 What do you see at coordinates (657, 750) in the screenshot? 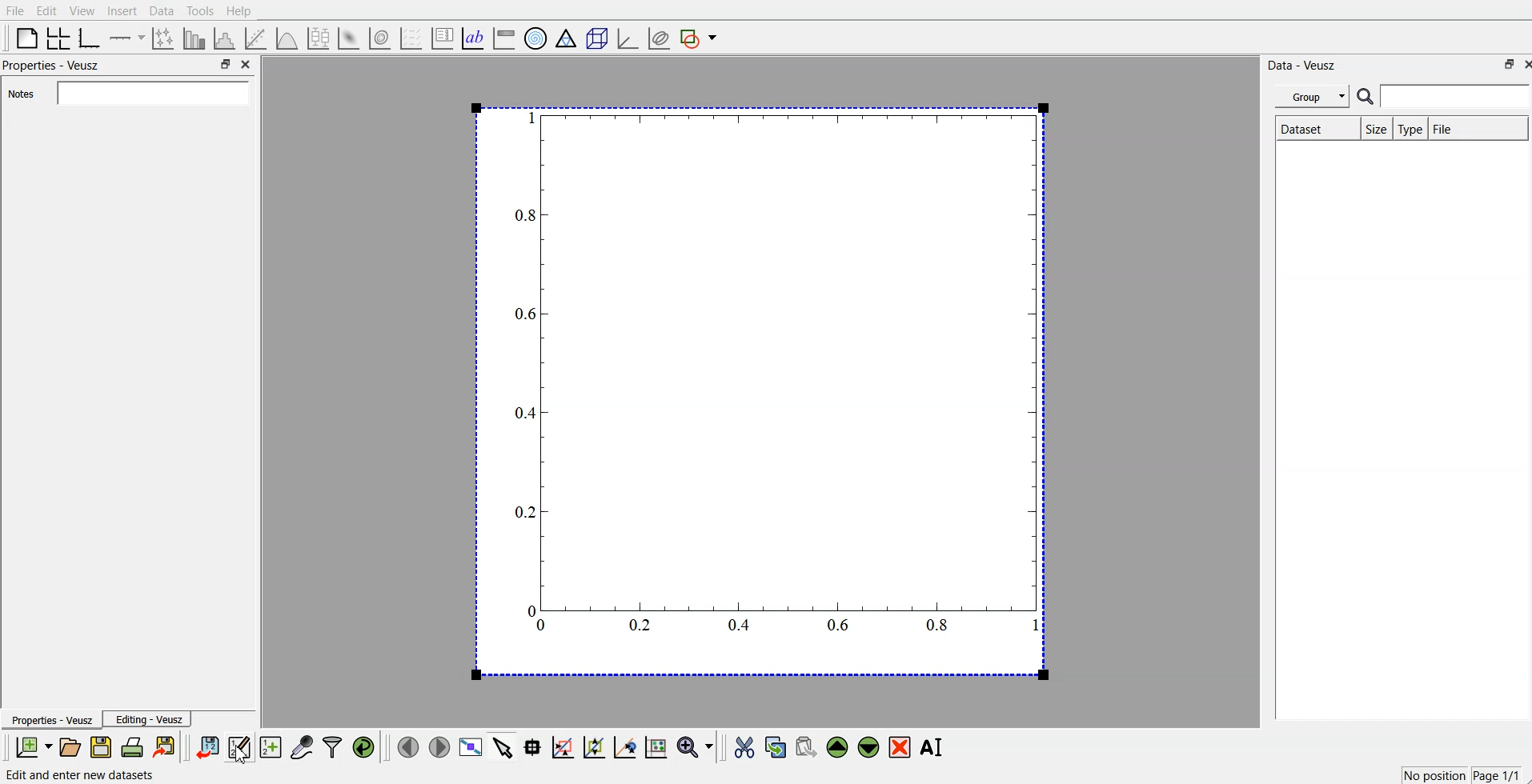
I see `reset graph axes` at bounding box center [657, 750].